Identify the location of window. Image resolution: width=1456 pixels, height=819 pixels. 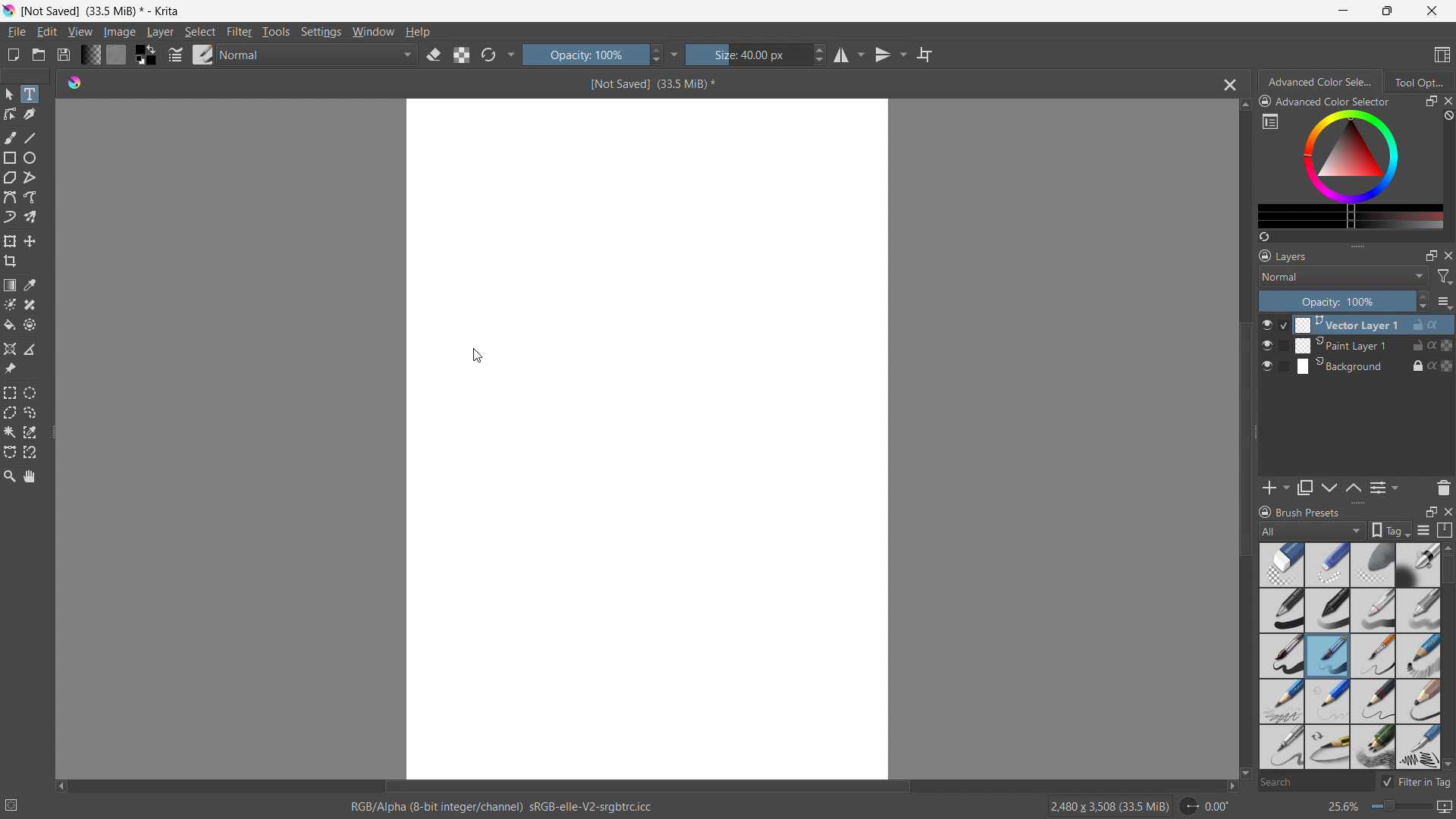
(373, 32).